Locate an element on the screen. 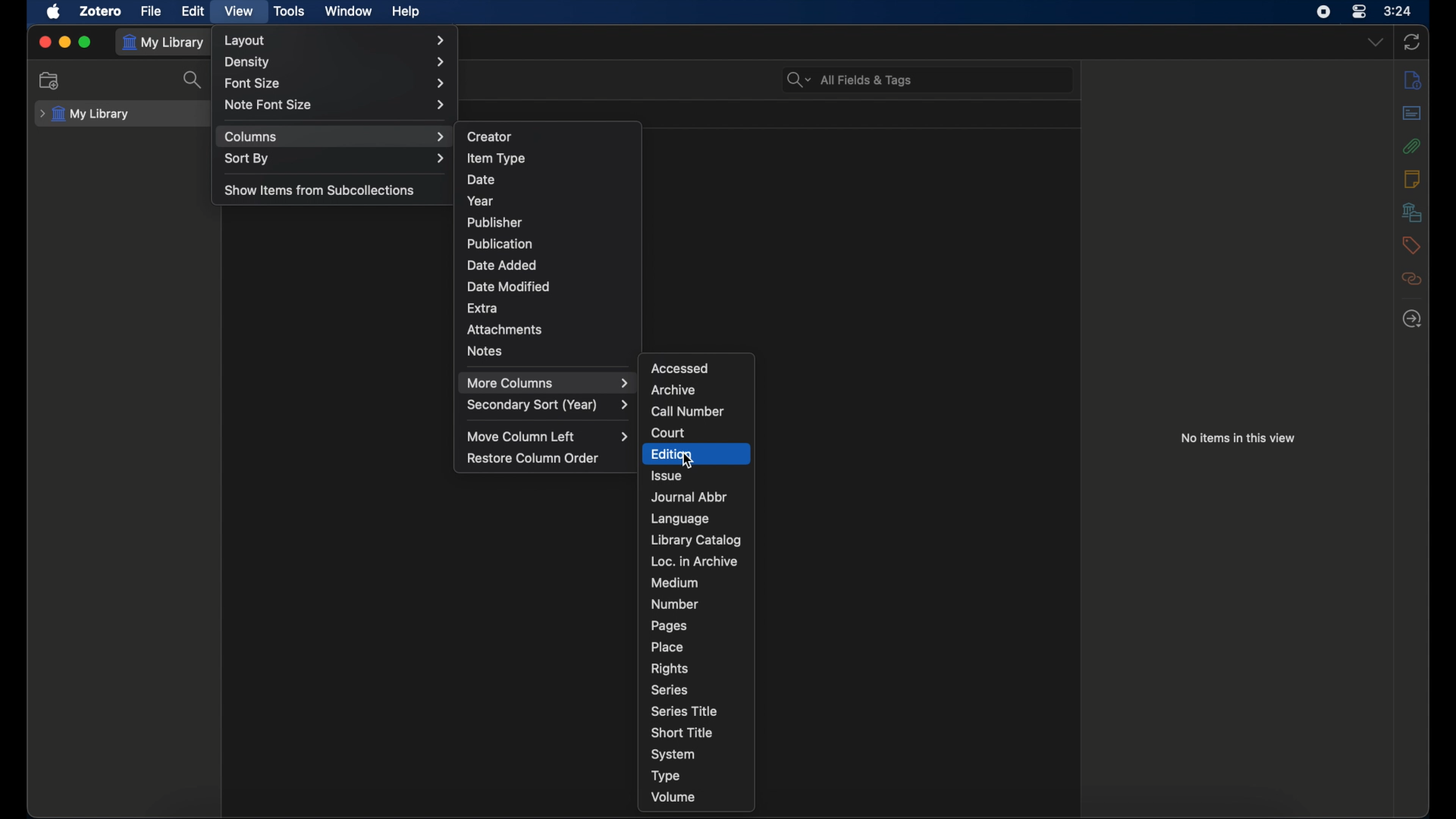 This screenshot has height=819, width=1456. number is located at coordinates (675, 604).